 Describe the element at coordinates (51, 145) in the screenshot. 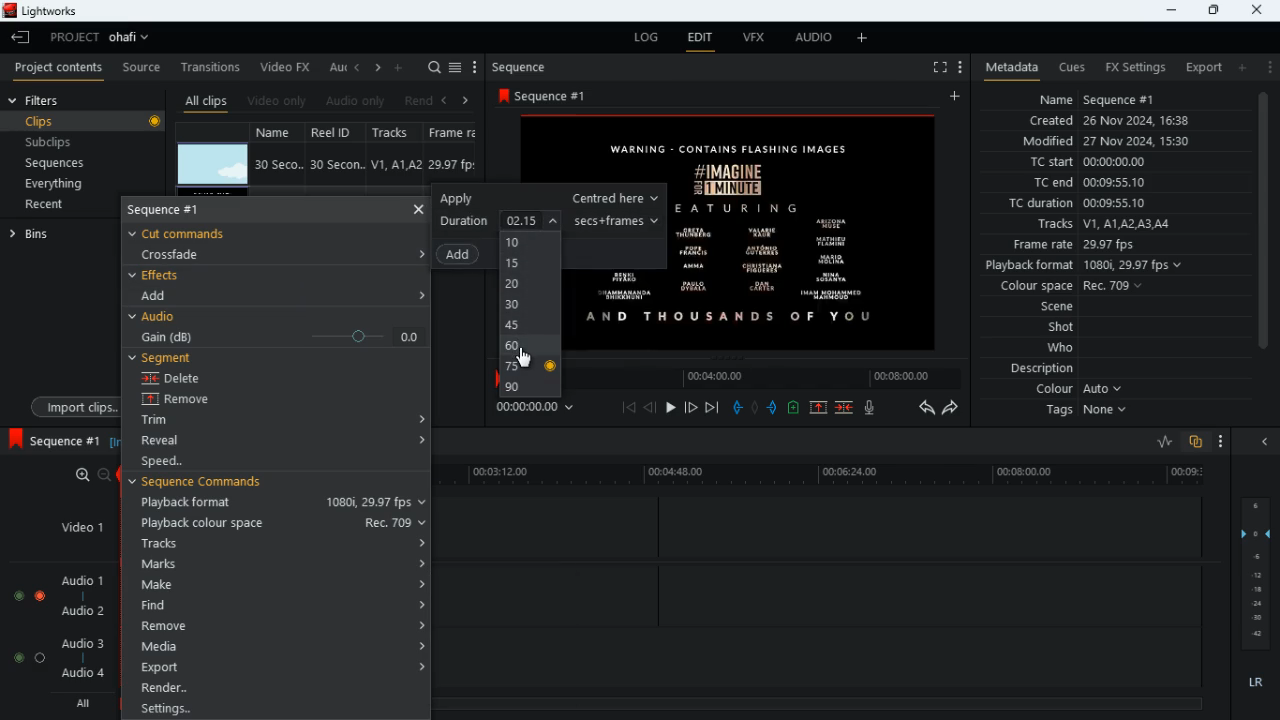

I see `subclips` at that location.